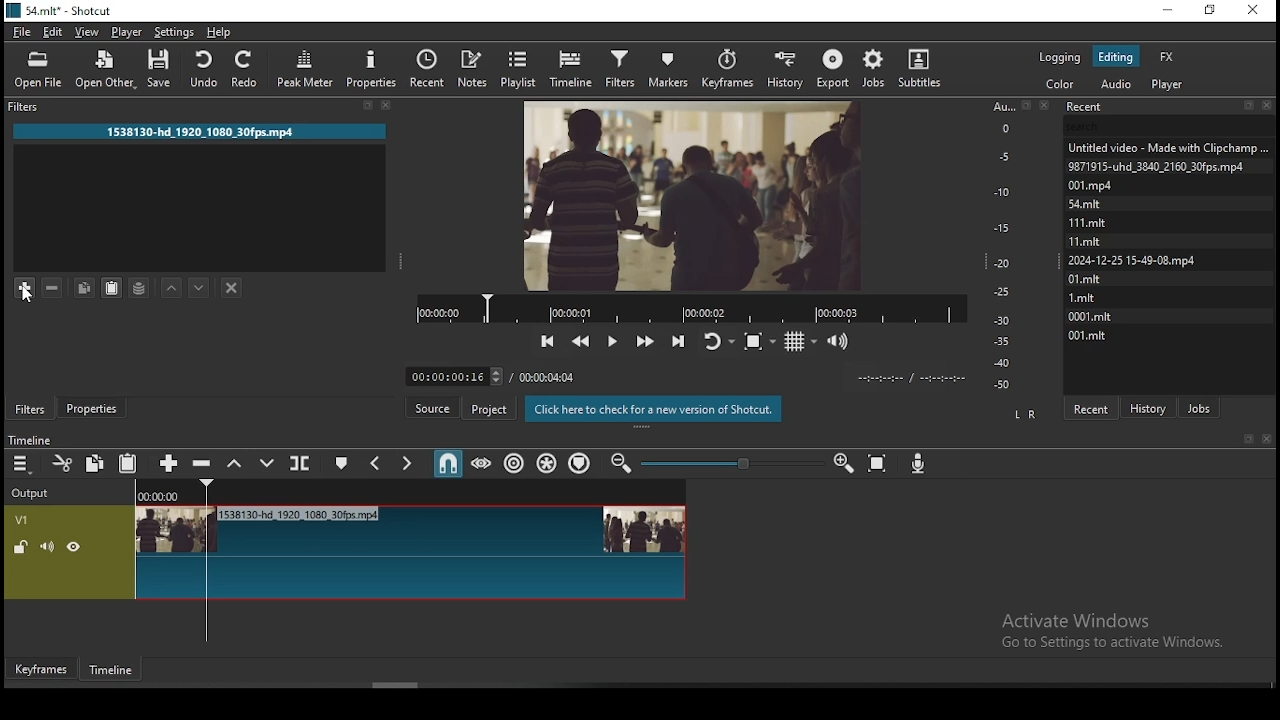 The image size is (1280, 720). I want to click on recent, so click(430, 68).